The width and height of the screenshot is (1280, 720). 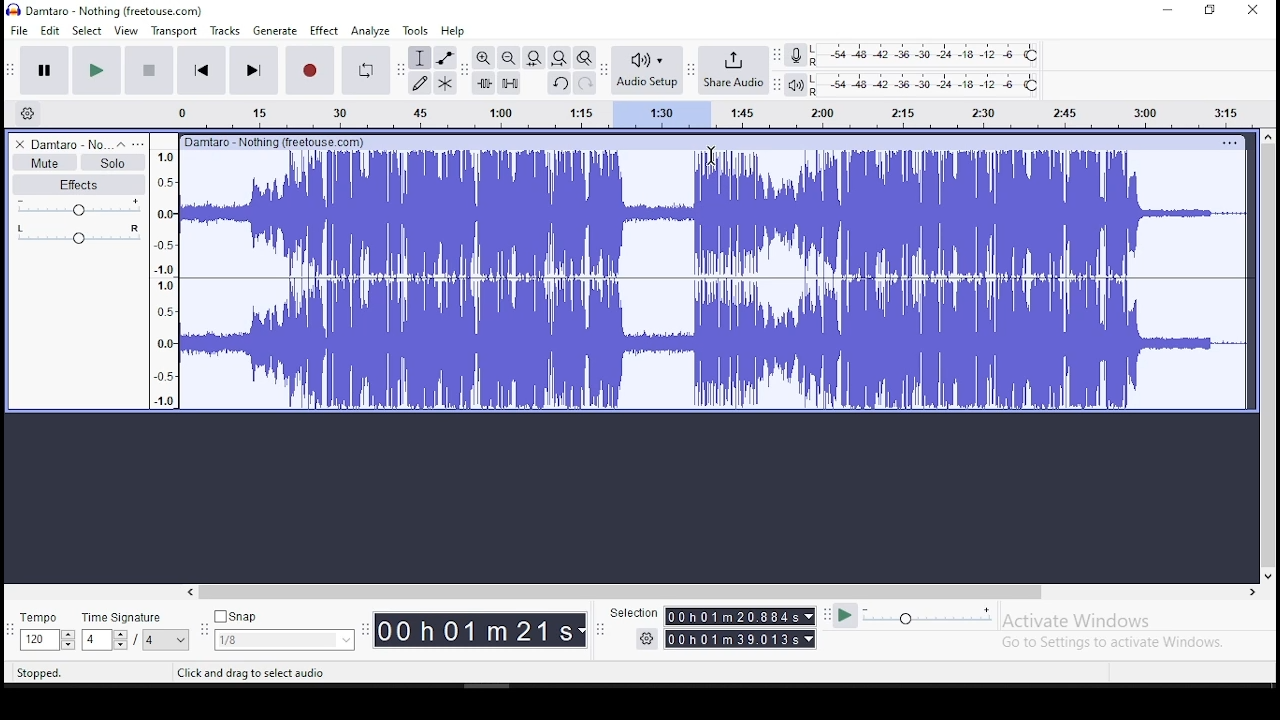 I want to click on Go to Settings to activate Windows., so click(x=1116, y=642).